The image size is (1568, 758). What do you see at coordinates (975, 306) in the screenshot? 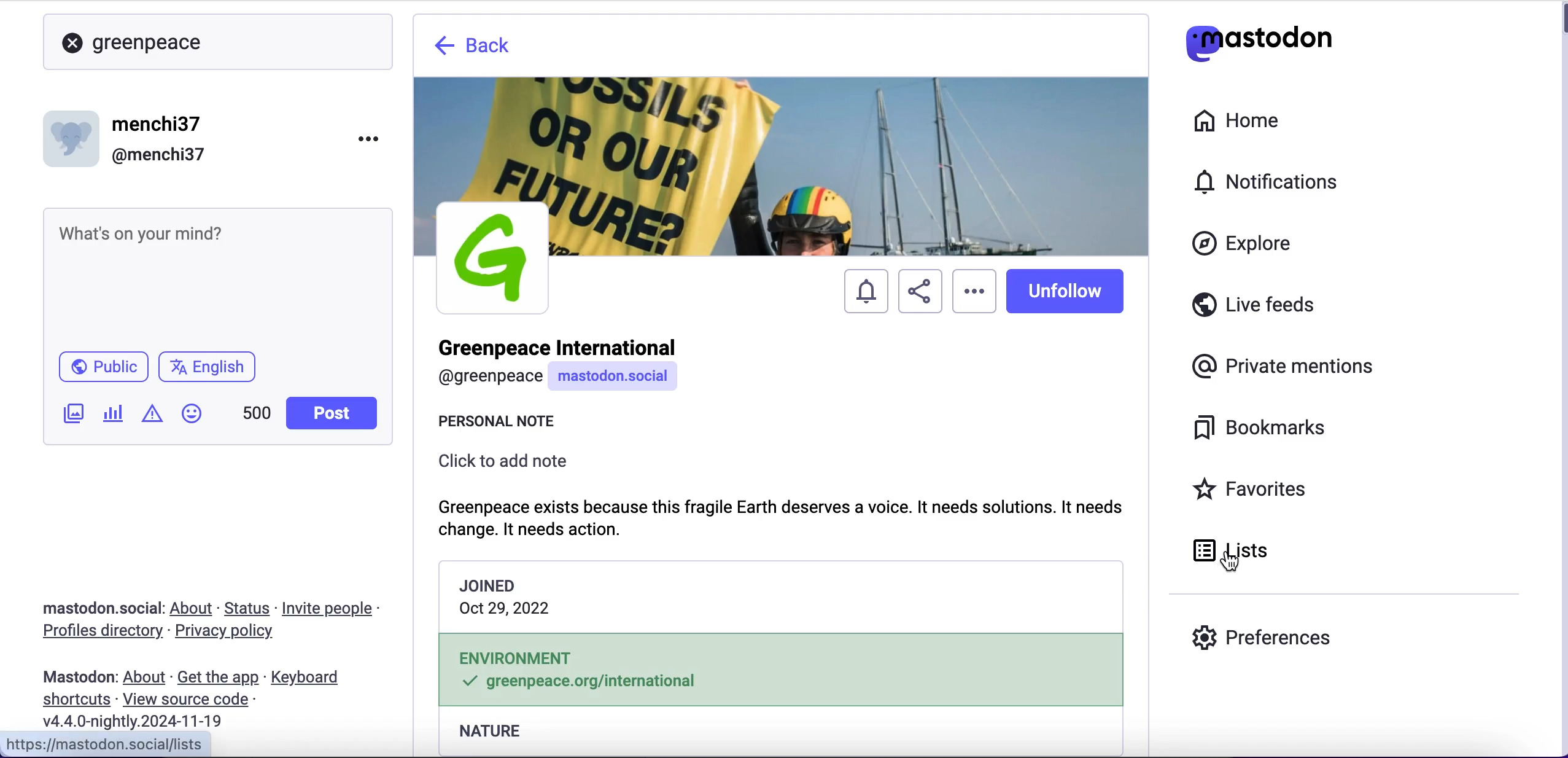
I see `cursor` at bounding box center [975, 306].